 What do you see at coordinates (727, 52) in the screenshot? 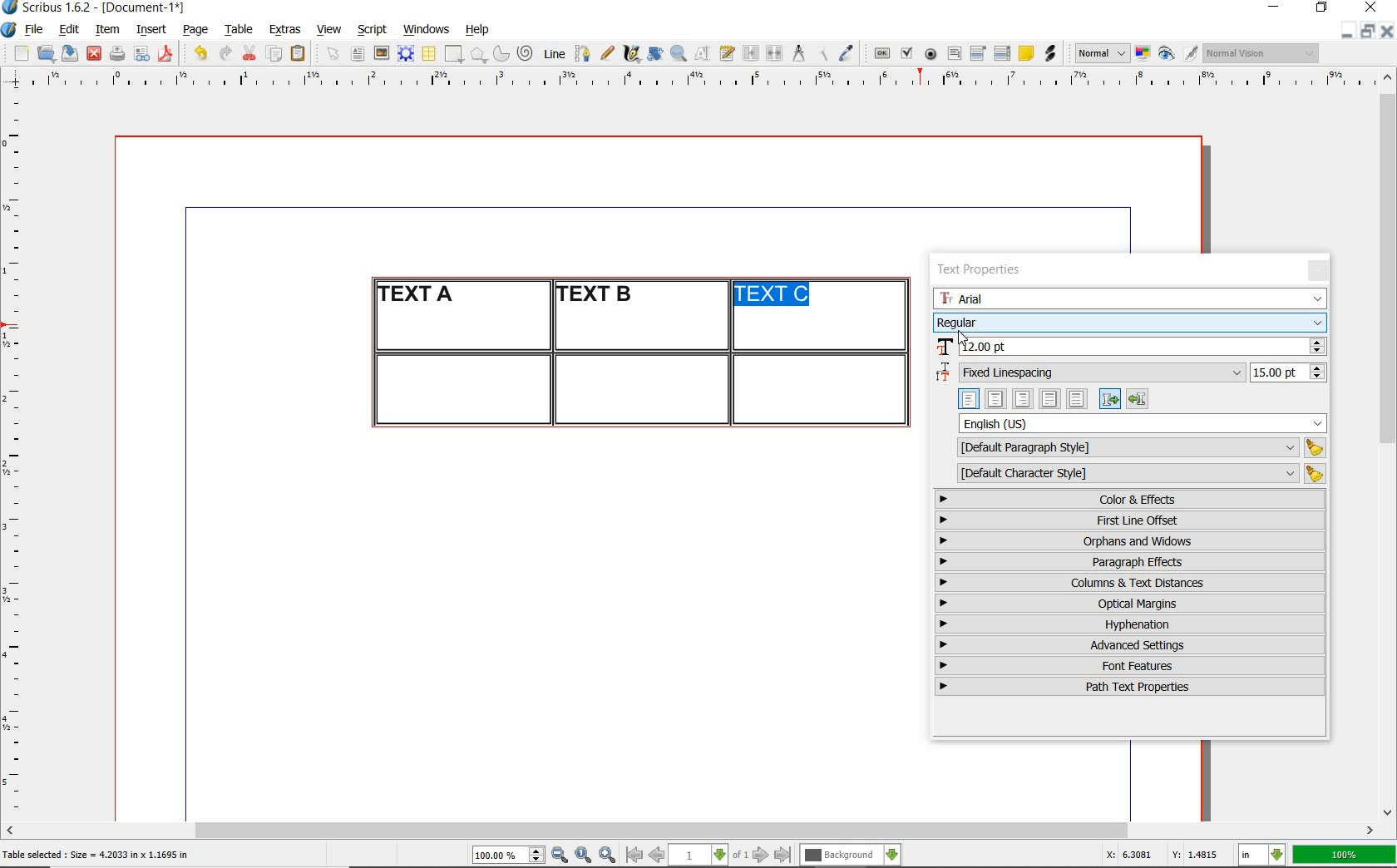
I see `edit text with story editor` at bounding box center [727, 52].